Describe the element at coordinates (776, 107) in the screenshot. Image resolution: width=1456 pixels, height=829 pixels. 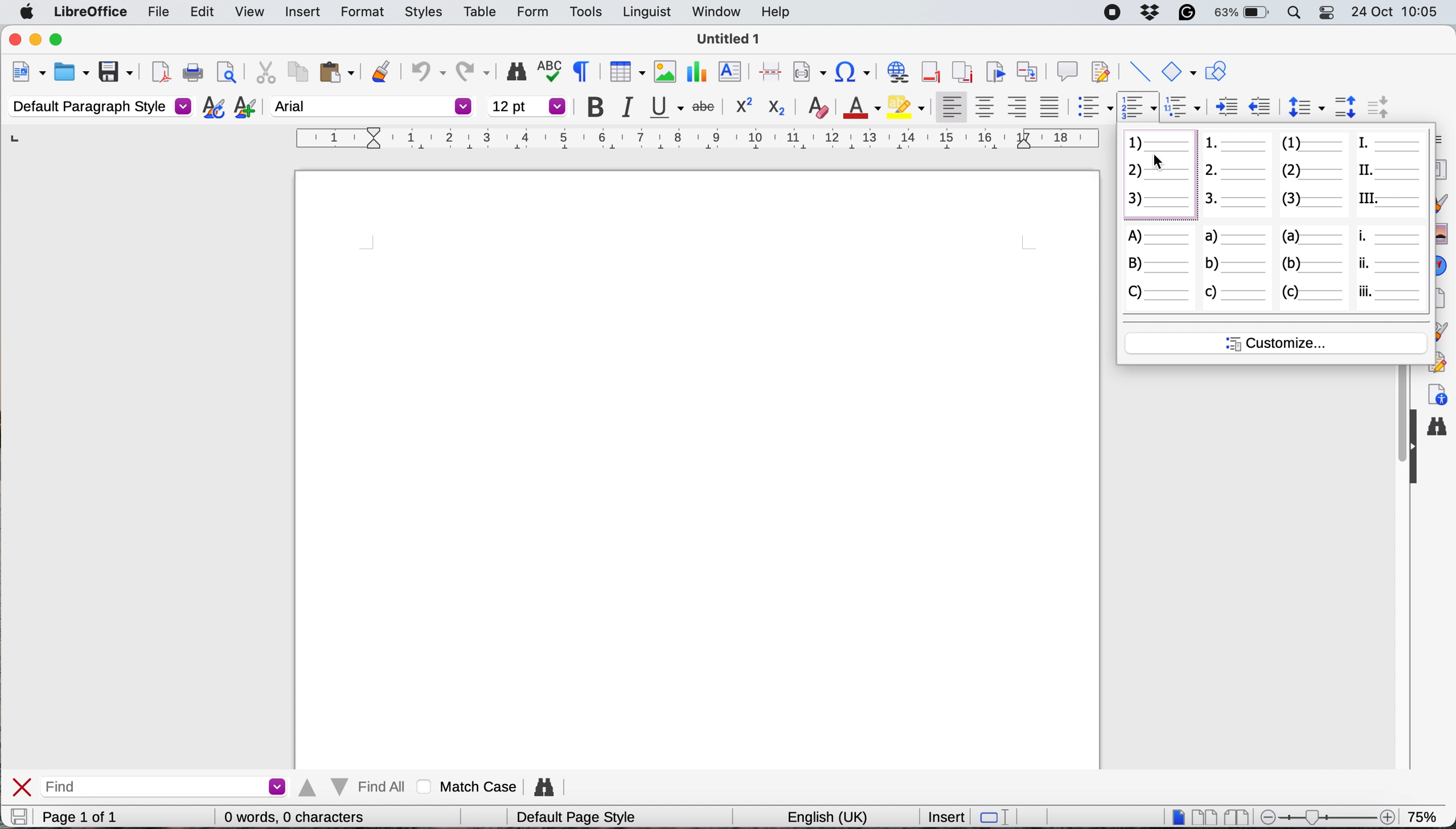
I see `subscript` at that location.